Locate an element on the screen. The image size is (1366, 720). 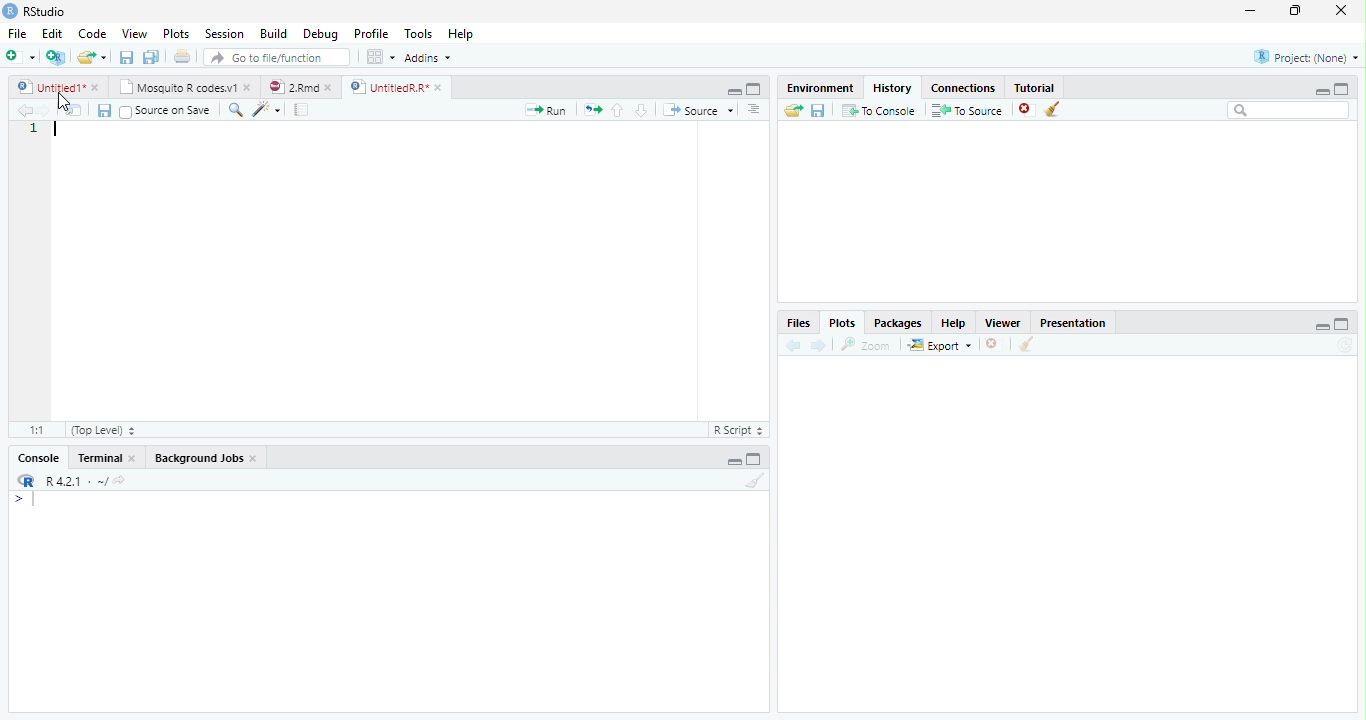
Packages is located at coordinates (898, 322).